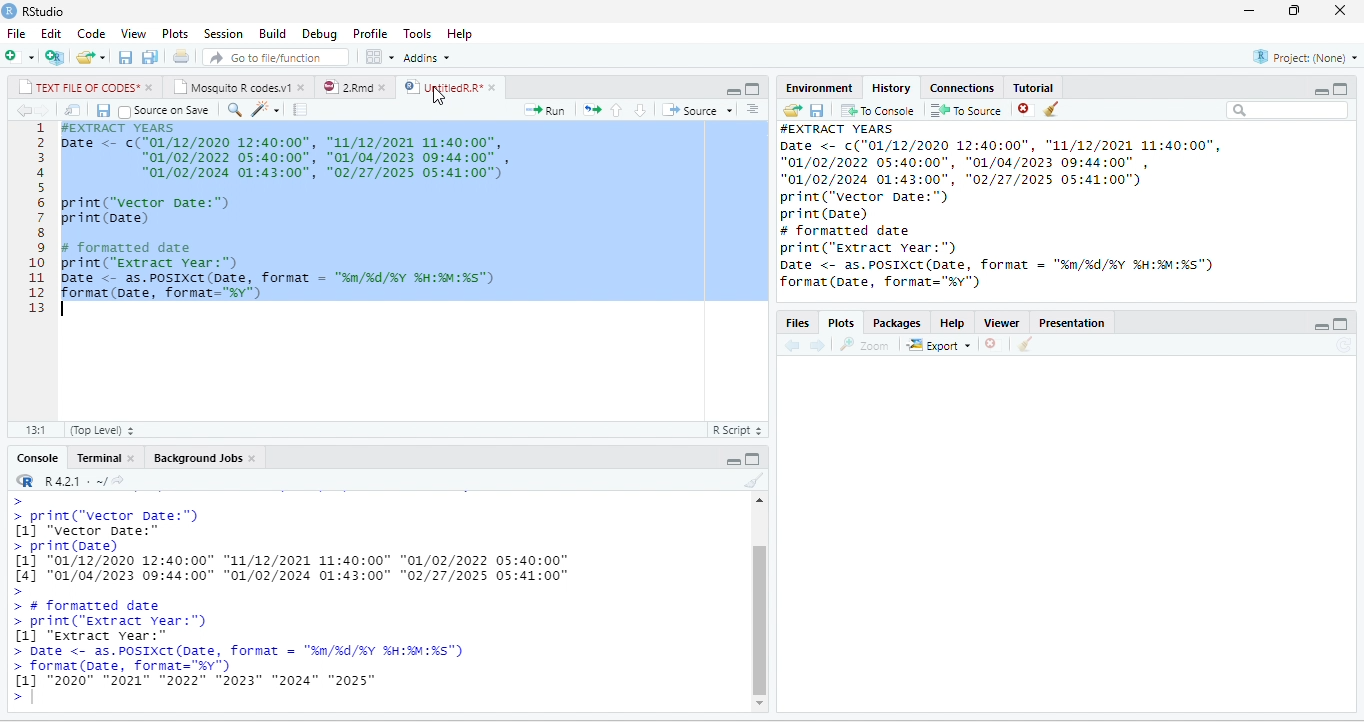 This screenshot has width=1364, height=722. I want to click on close, so click(1340, 11).